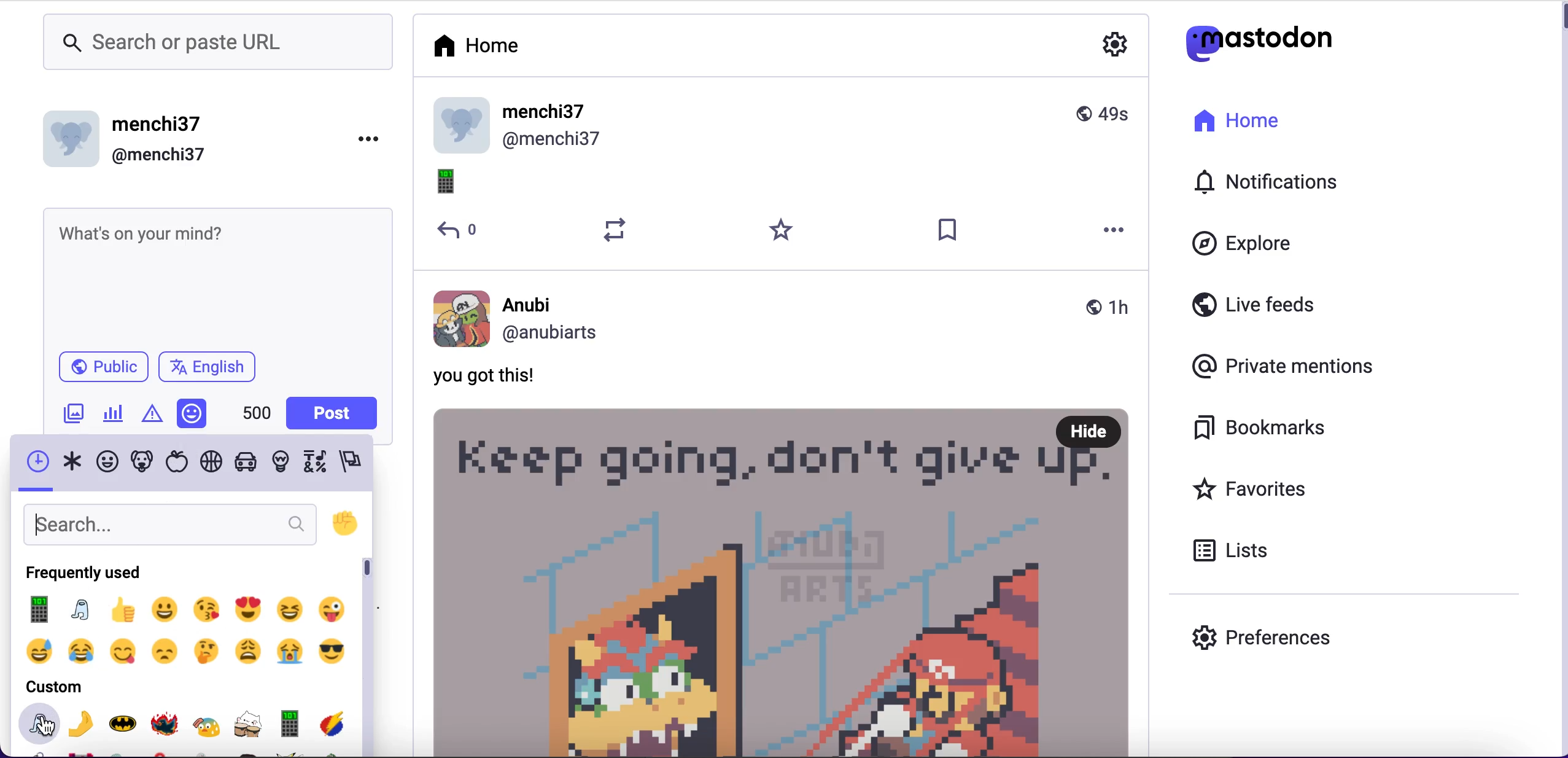  I want to click on bookmarks, so click(1260, 428).